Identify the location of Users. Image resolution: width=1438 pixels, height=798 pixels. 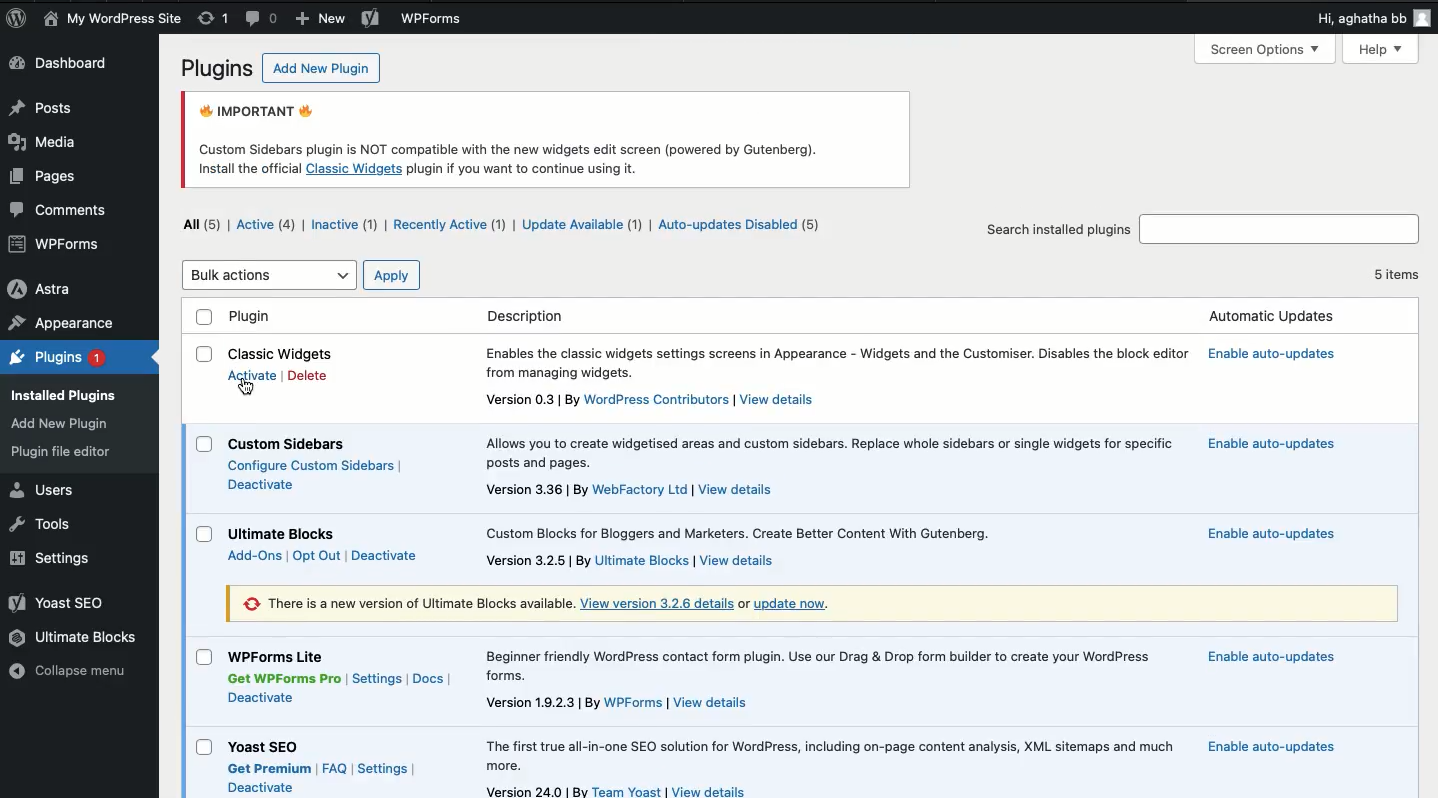
(45, 490).